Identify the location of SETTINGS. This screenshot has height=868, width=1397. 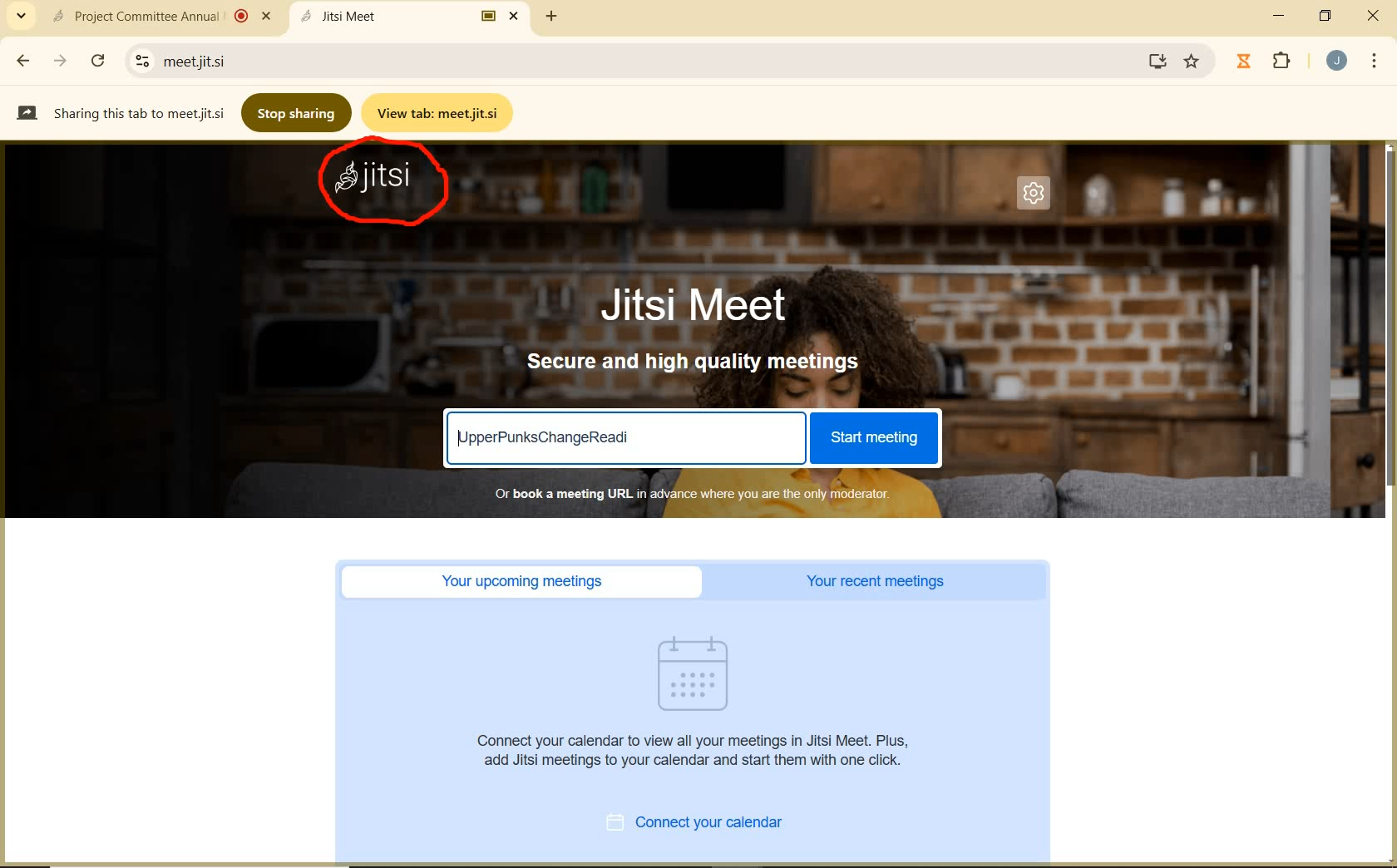
(1039, 198).